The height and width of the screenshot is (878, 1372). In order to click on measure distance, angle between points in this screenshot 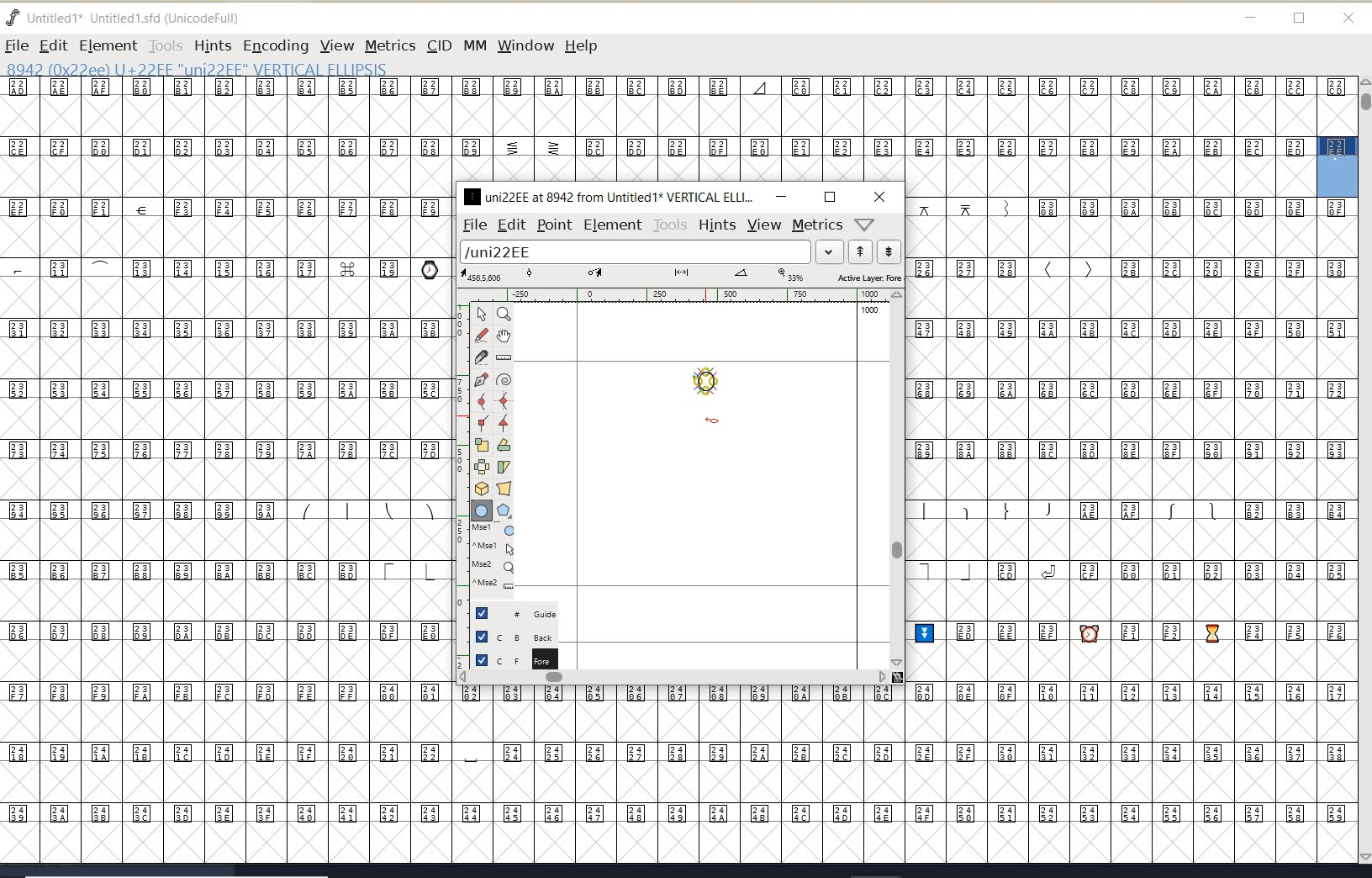, I will do `click(504, 357)`.